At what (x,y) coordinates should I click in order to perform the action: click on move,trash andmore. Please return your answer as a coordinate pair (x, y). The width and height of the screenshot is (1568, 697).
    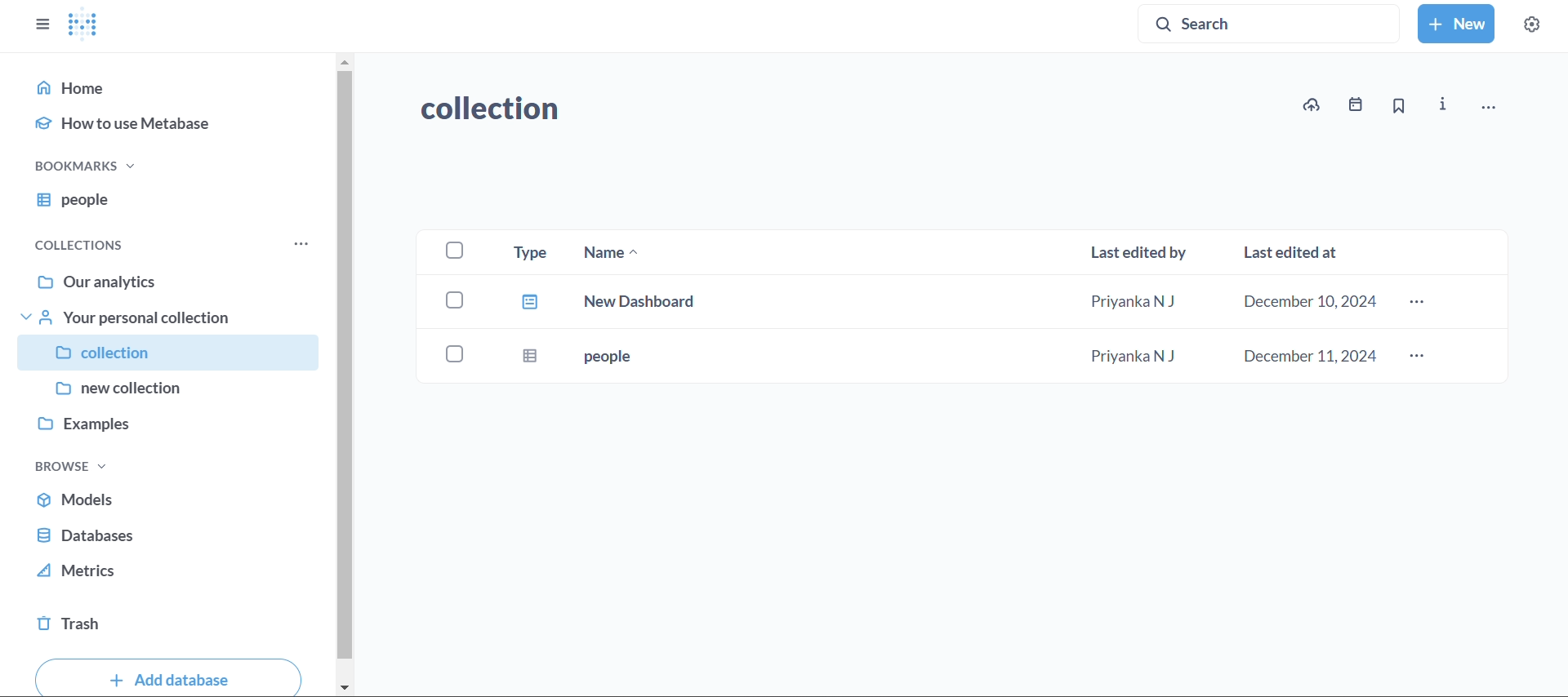
    Looking at the image, I should click on (1490, 108).